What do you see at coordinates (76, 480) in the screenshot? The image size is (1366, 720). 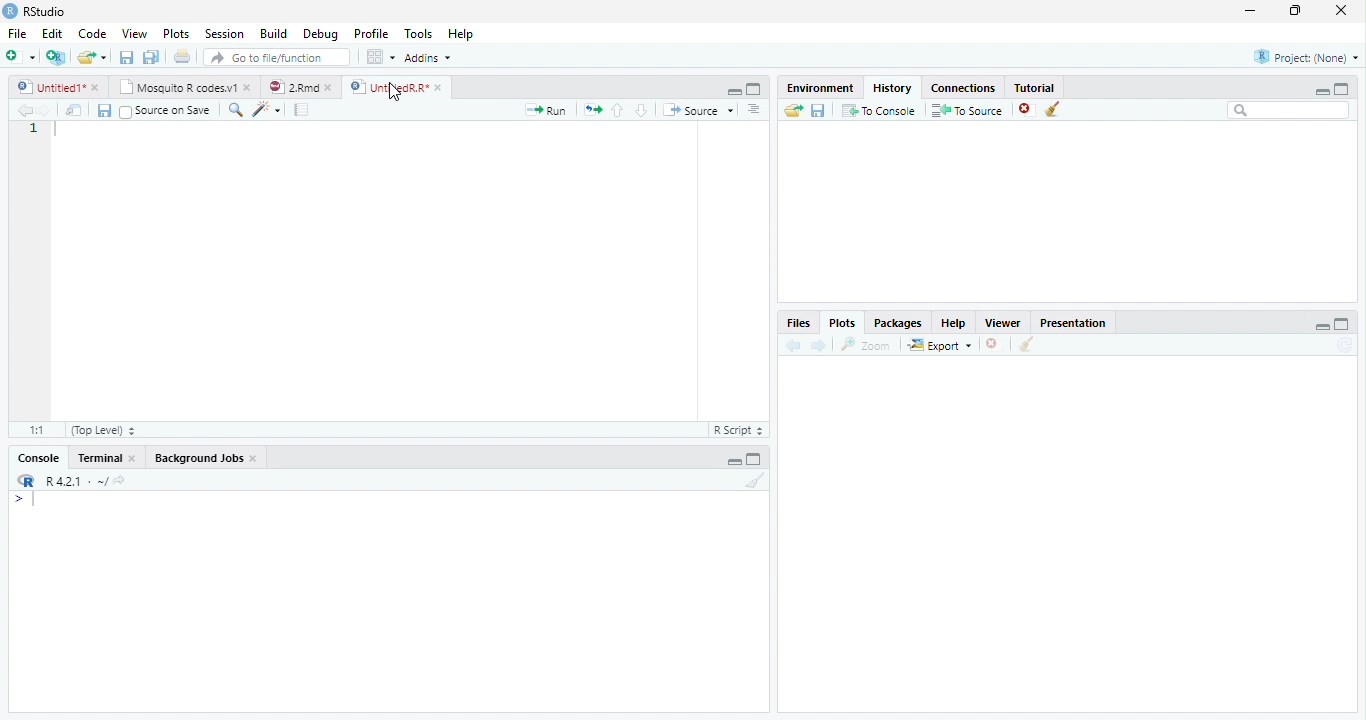 I see `R 4.2.1 . ~/` at bounding box center [76, 480].